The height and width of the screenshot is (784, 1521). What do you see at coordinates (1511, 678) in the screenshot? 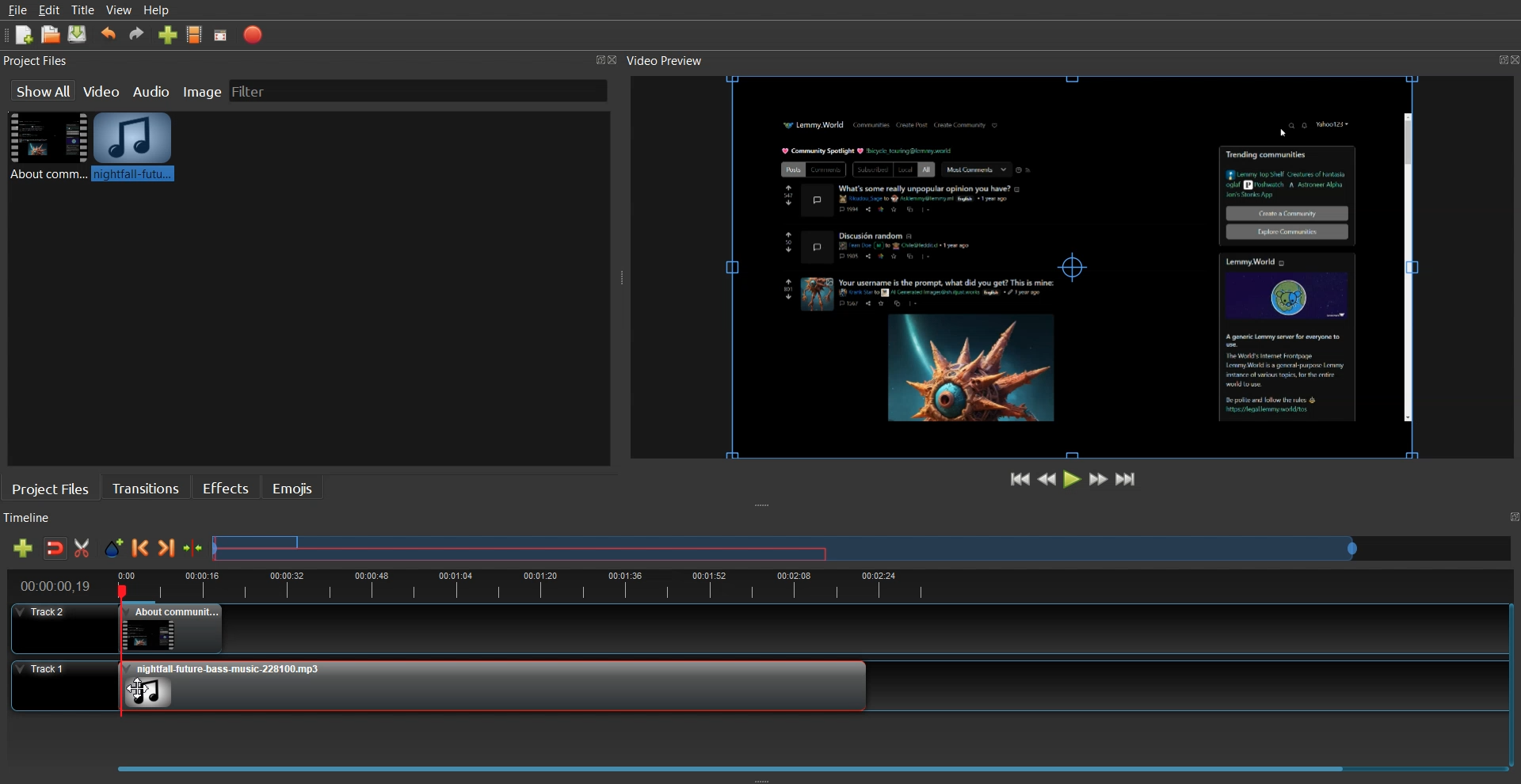
I see `Vertical Scroll Bar` at bounding box center [1511, 678].